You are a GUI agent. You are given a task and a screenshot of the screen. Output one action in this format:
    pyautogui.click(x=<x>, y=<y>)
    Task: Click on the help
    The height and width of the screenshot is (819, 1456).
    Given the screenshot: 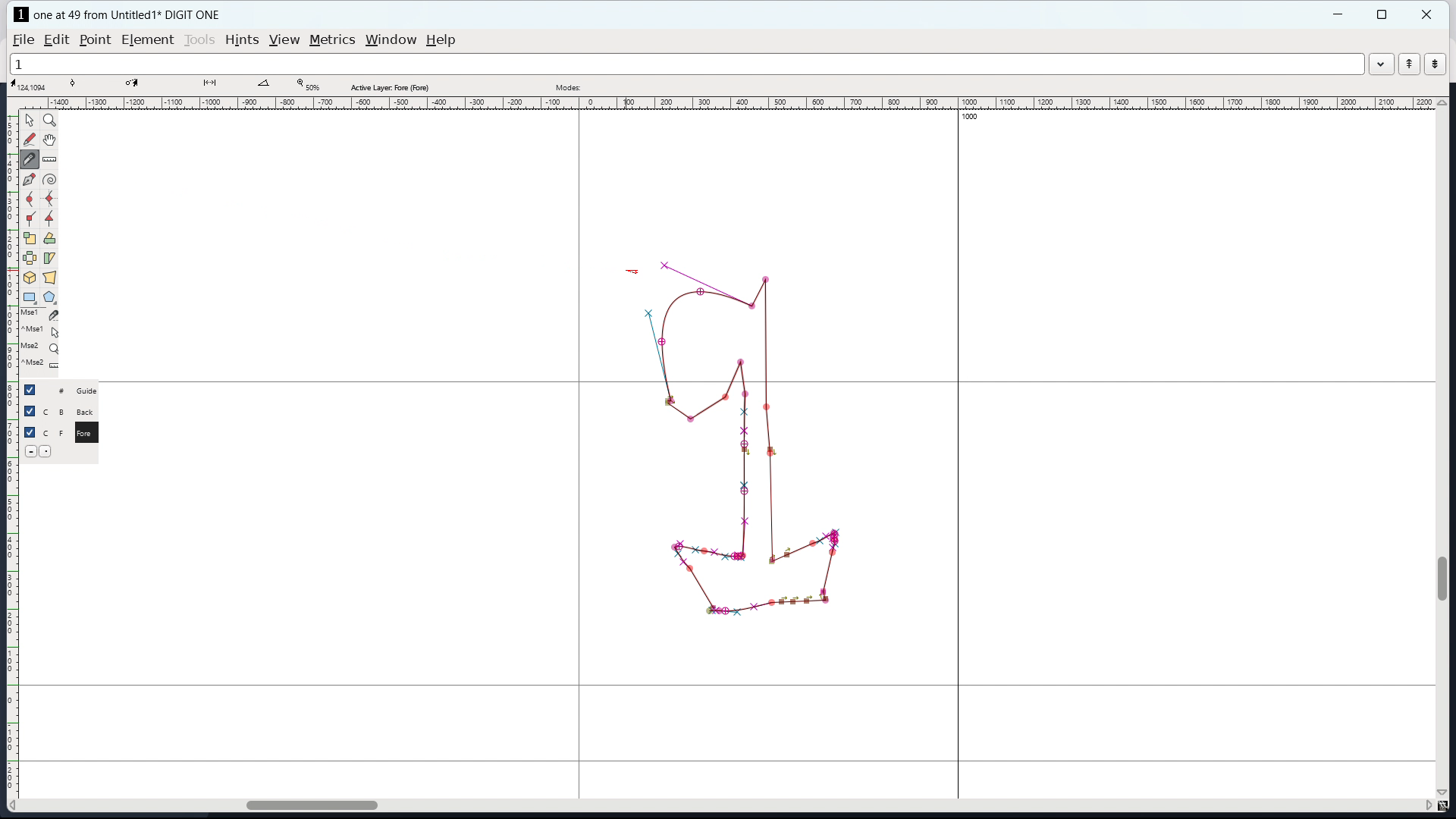 What is the action you would take?
    pyautogui.click(x=441, y=40)
    